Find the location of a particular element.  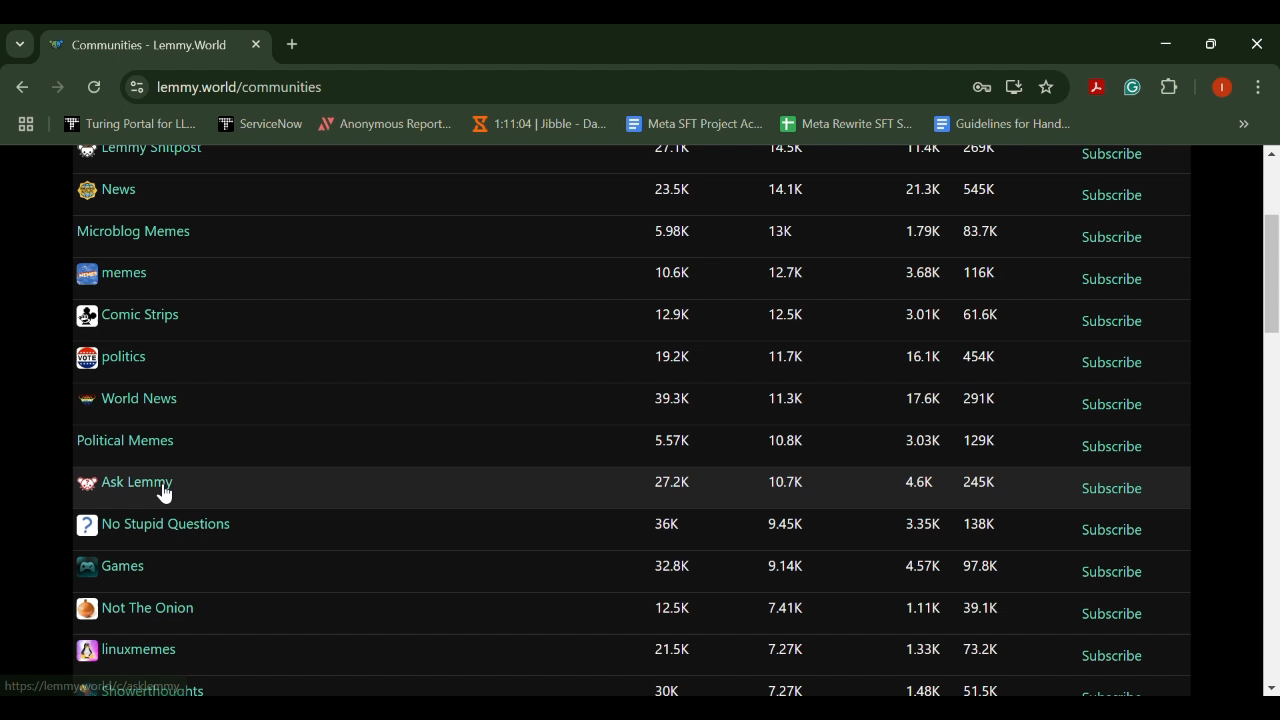

5.57K is located at coordinates (673, 441).